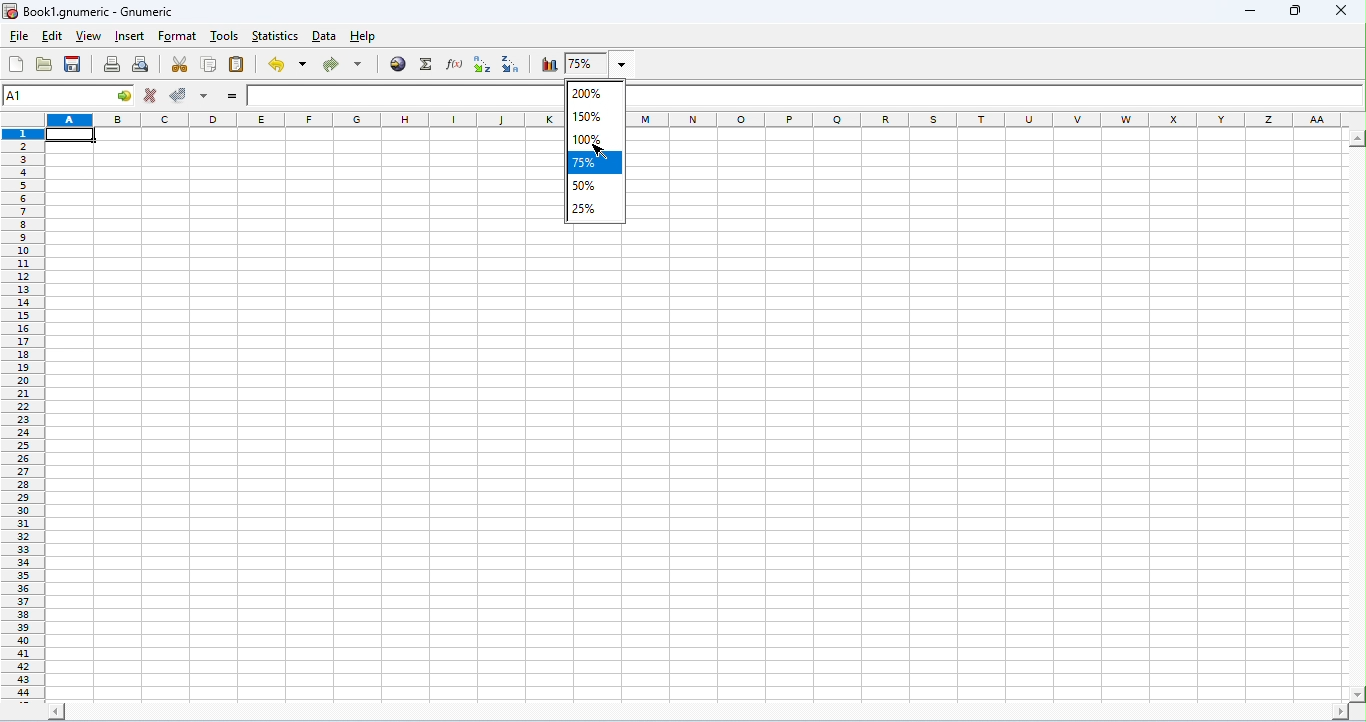 The image size is (1366, 722). What do you see at coordinates (456, 64) in the screenshot?
I see `function wizard` at bounding box center [456, 64].